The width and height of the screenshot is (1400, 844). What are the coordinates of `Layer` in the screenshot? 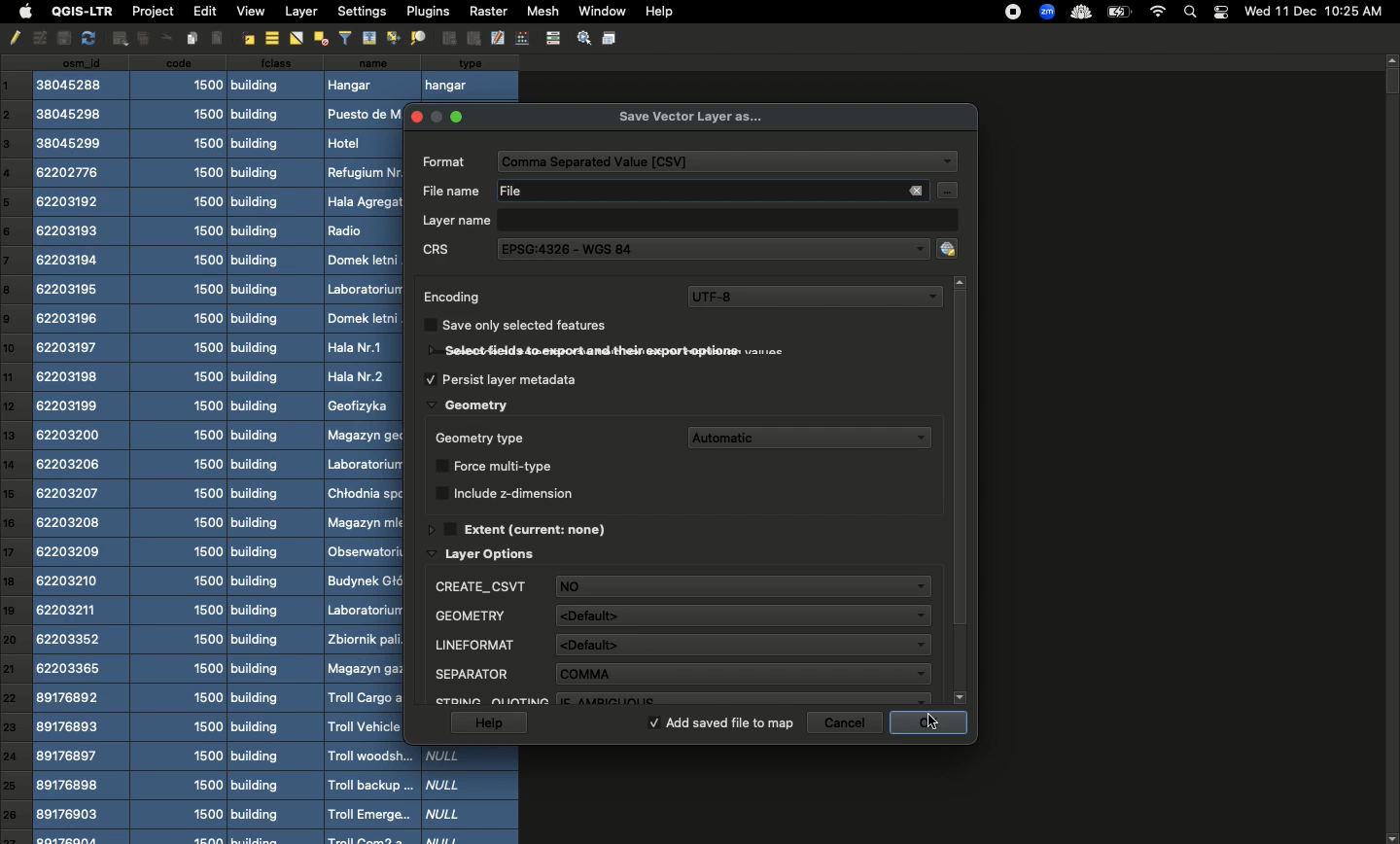 It's located at (301, 12).